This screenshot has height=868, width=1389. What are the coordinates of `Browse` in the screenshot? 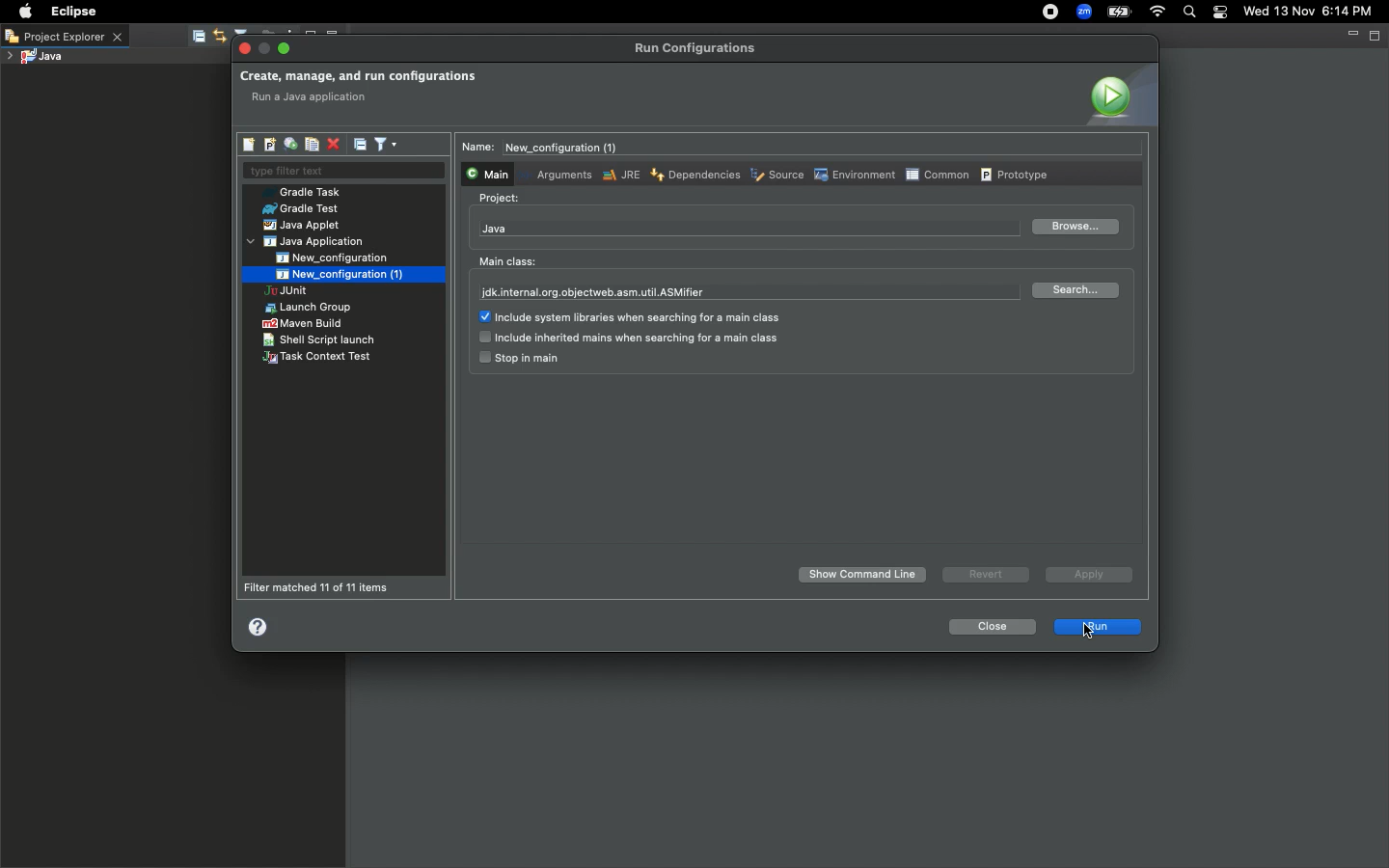 It's located at (1074, 228).